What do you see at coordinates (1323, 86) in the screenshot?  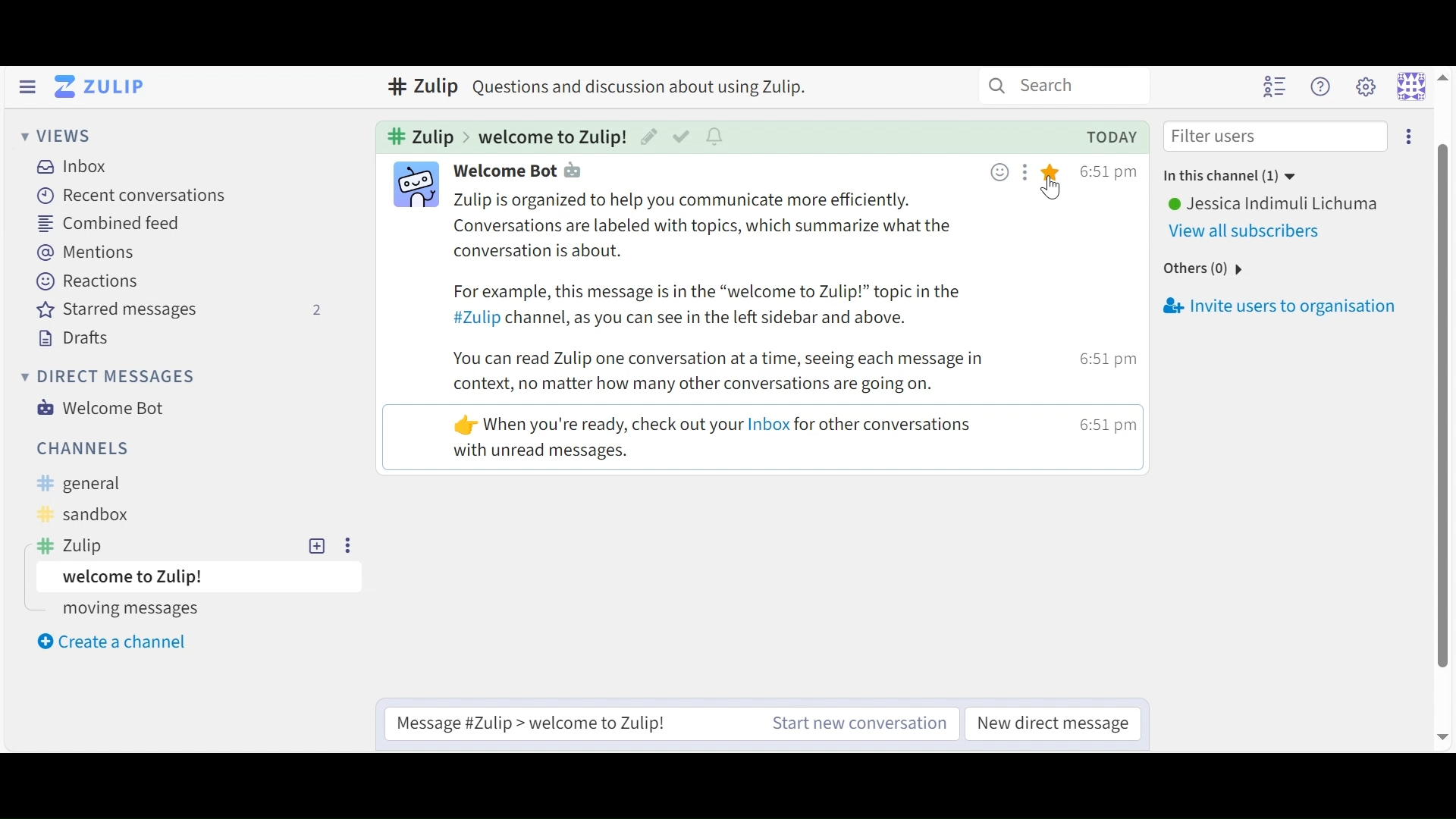 I see `Help menu` at bounding box center [1323, 86].